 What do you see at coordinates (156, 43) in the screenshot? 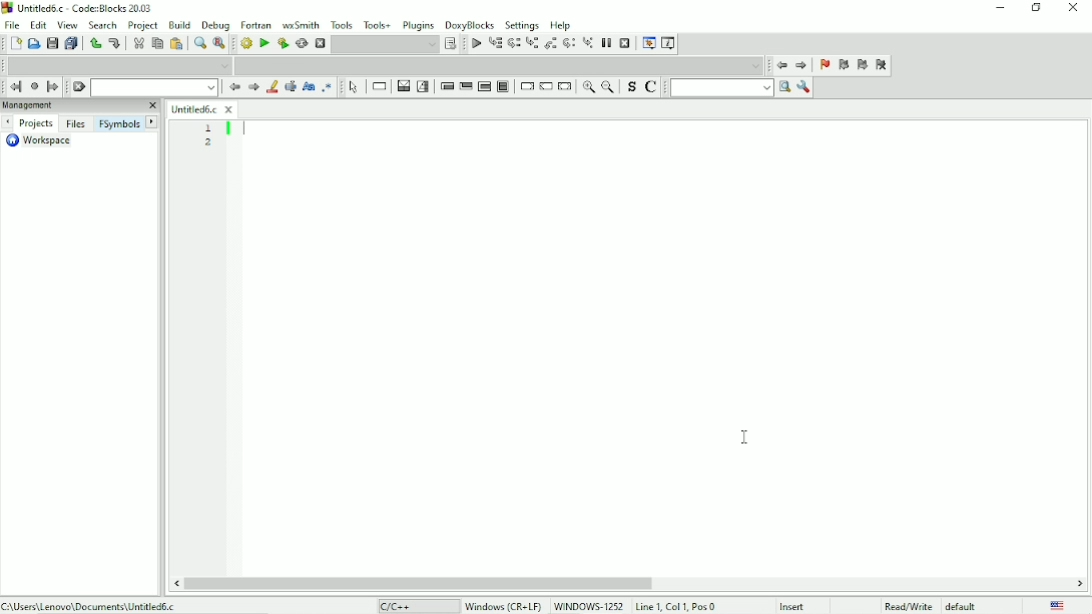
I see `Copy` at bounding box center [156, 43].